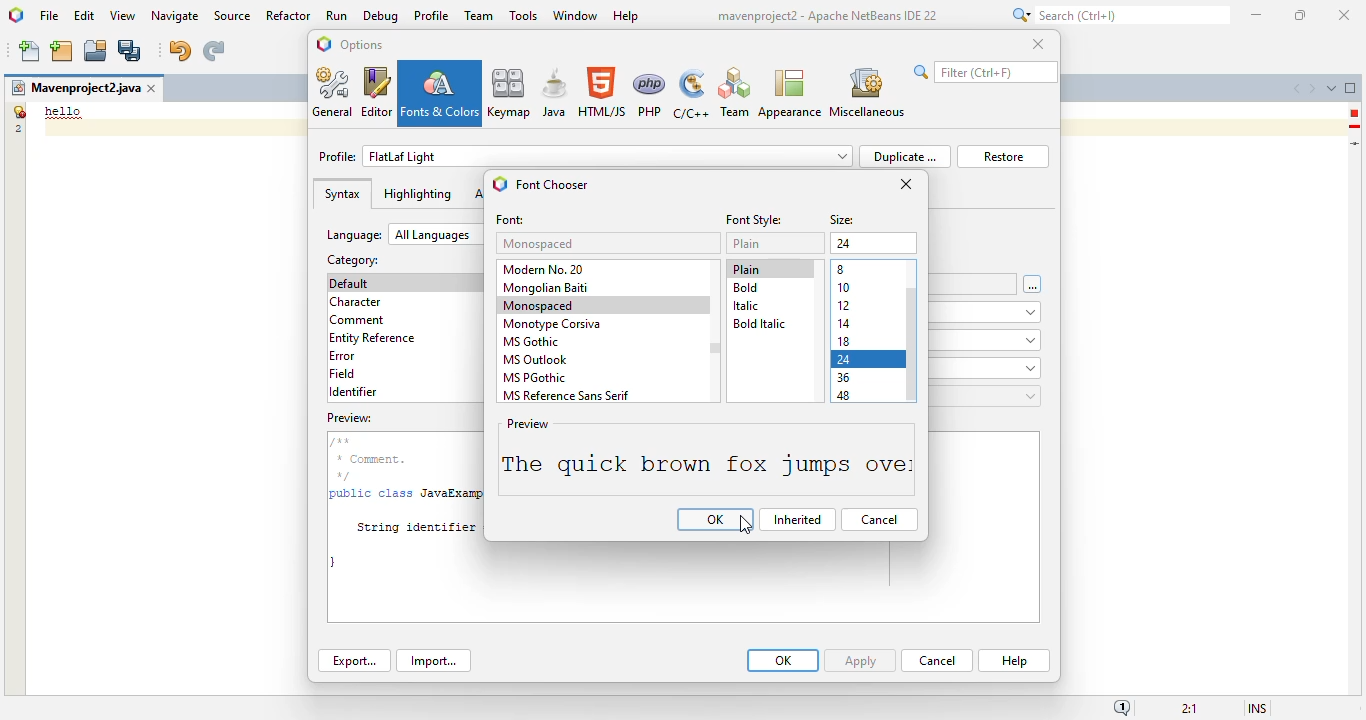  What do you see at coordinates (1118, 15) in the screenshot?
I see `search` at bounding box center [1118, 15].